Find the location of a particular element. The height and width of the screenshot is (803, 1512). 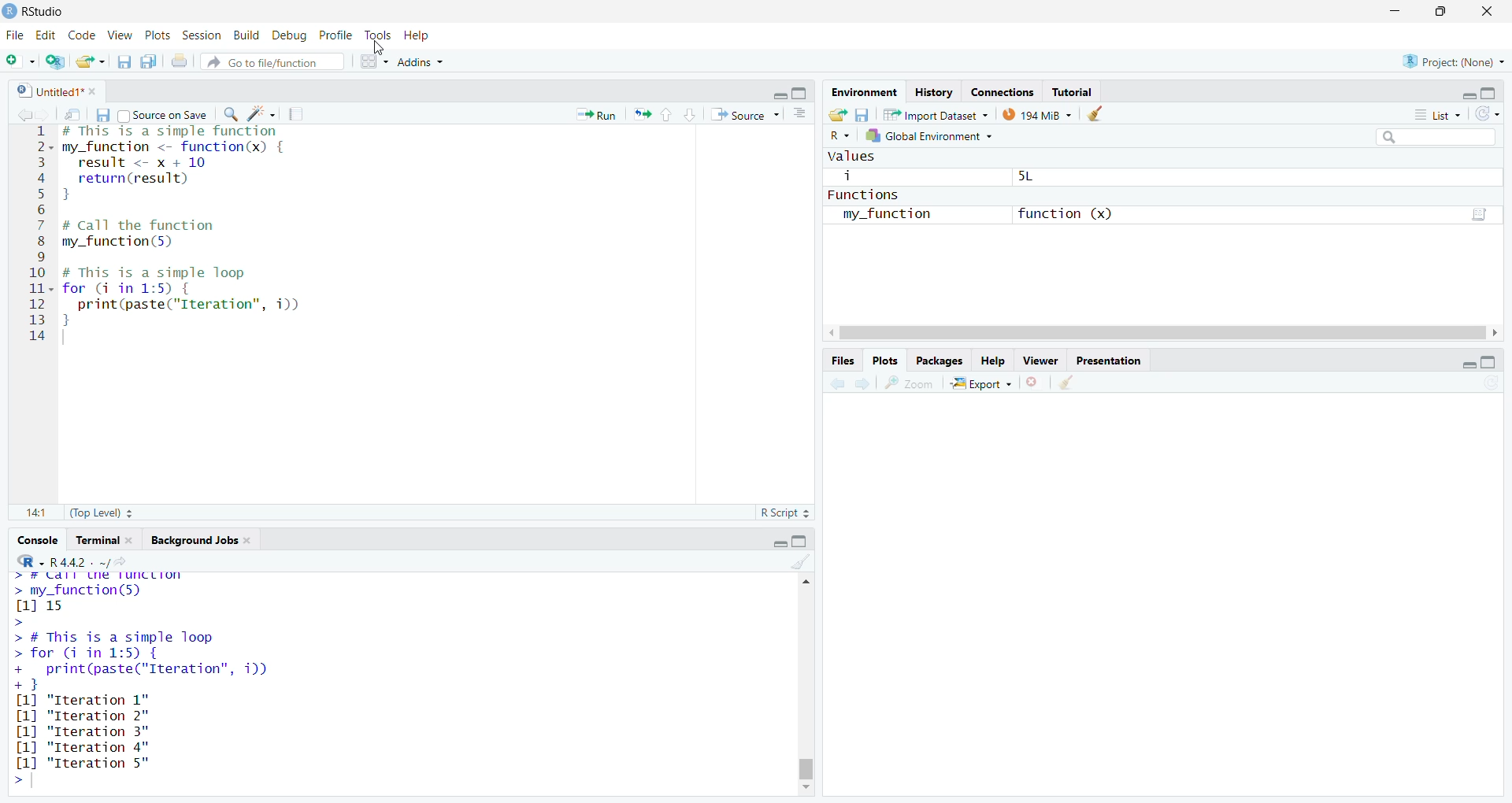

plots is located at coordinates (156, 34).